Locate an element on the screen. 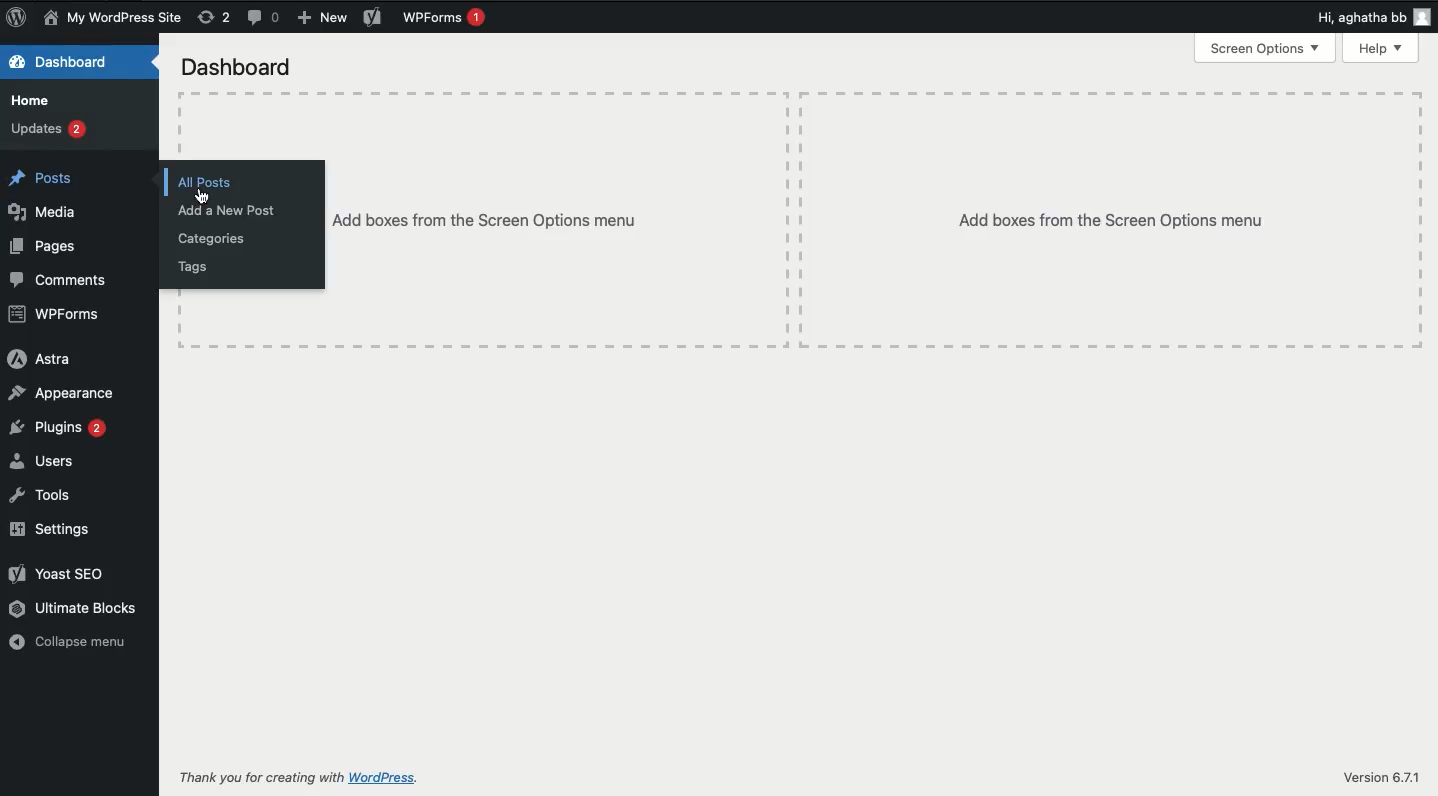  Categories is located at coordinates (217, 239).